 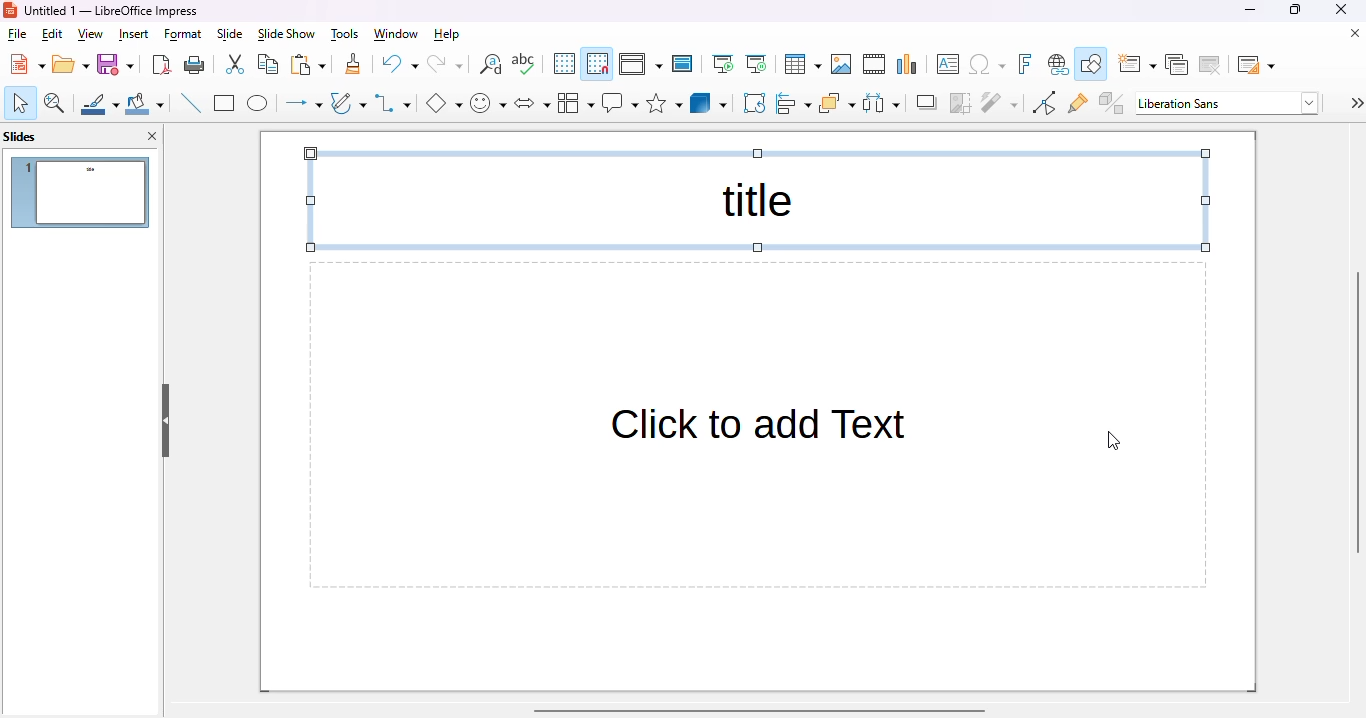 What do you see at coordinates (447, 35) in the screenshot?
I see `help` at bounding box center [447, 35].